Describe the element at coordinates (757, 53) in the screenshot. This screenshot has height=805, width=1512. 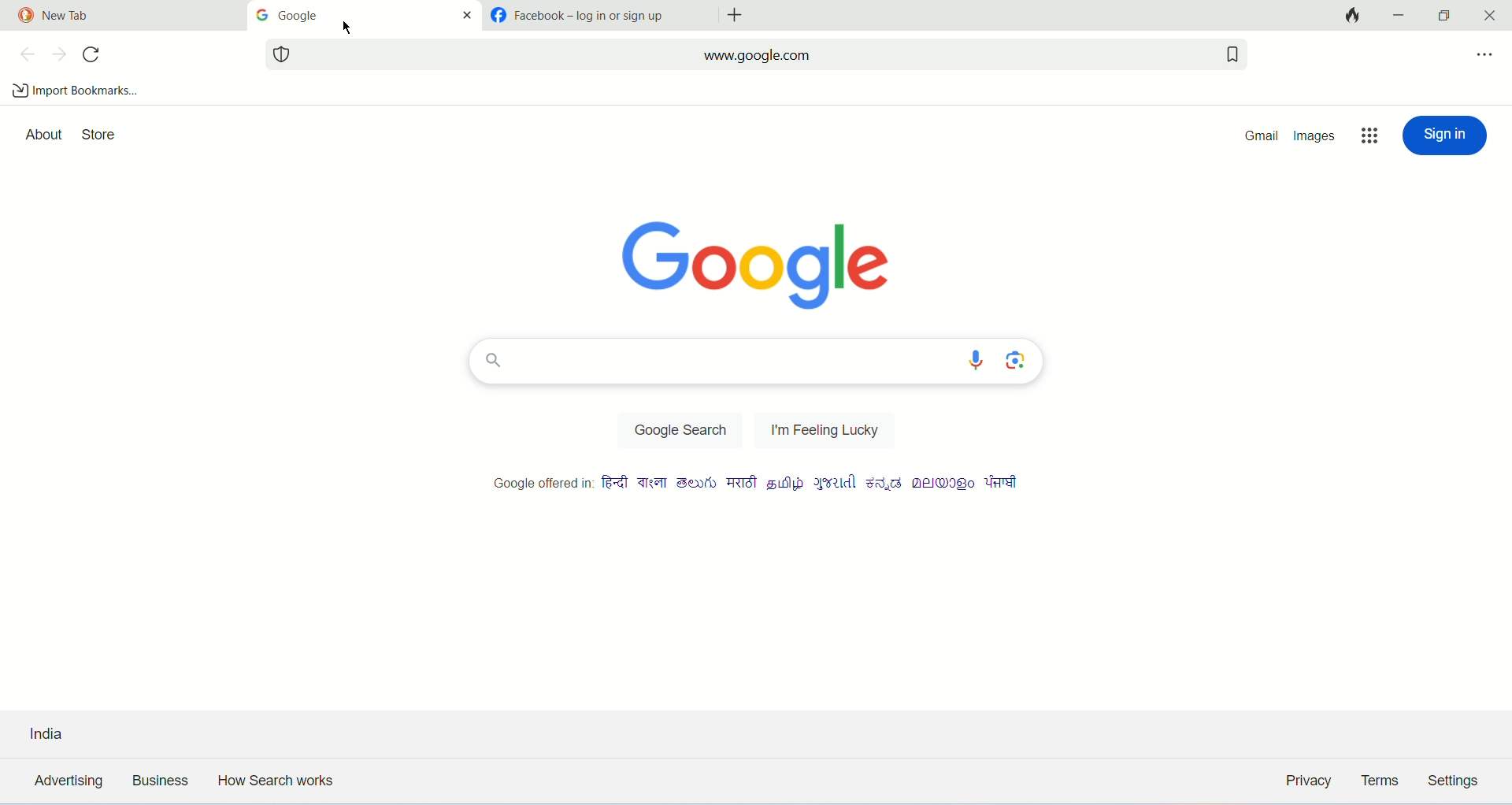
I see `search` at that location.